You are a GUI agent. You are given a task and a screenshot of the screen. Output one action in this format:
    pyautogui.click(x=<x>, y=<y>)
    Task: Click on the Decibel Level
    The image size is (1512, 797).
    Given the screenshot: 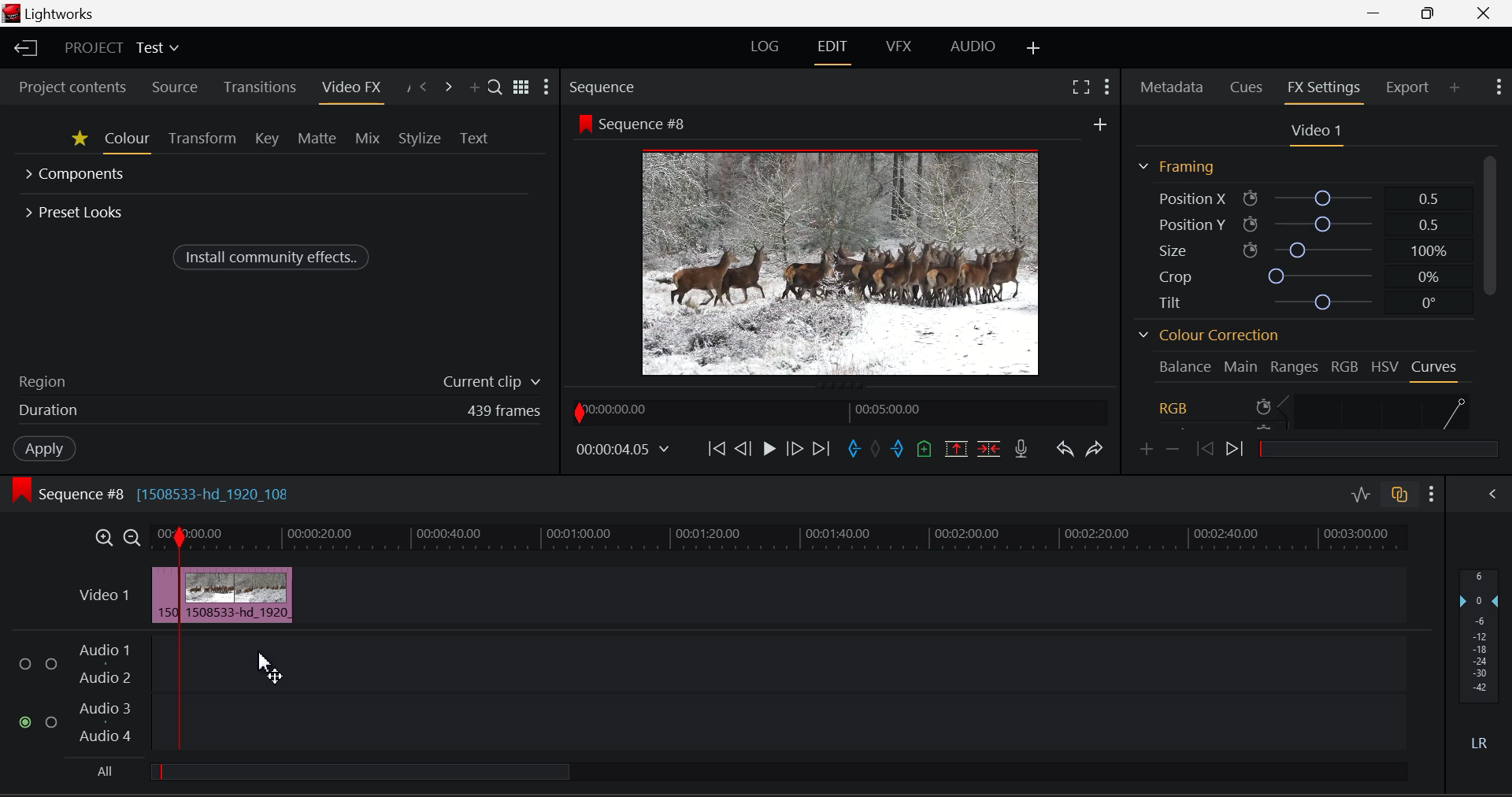 What is the action you would take?
    pyautogui.click(x=1478, y=656)
    